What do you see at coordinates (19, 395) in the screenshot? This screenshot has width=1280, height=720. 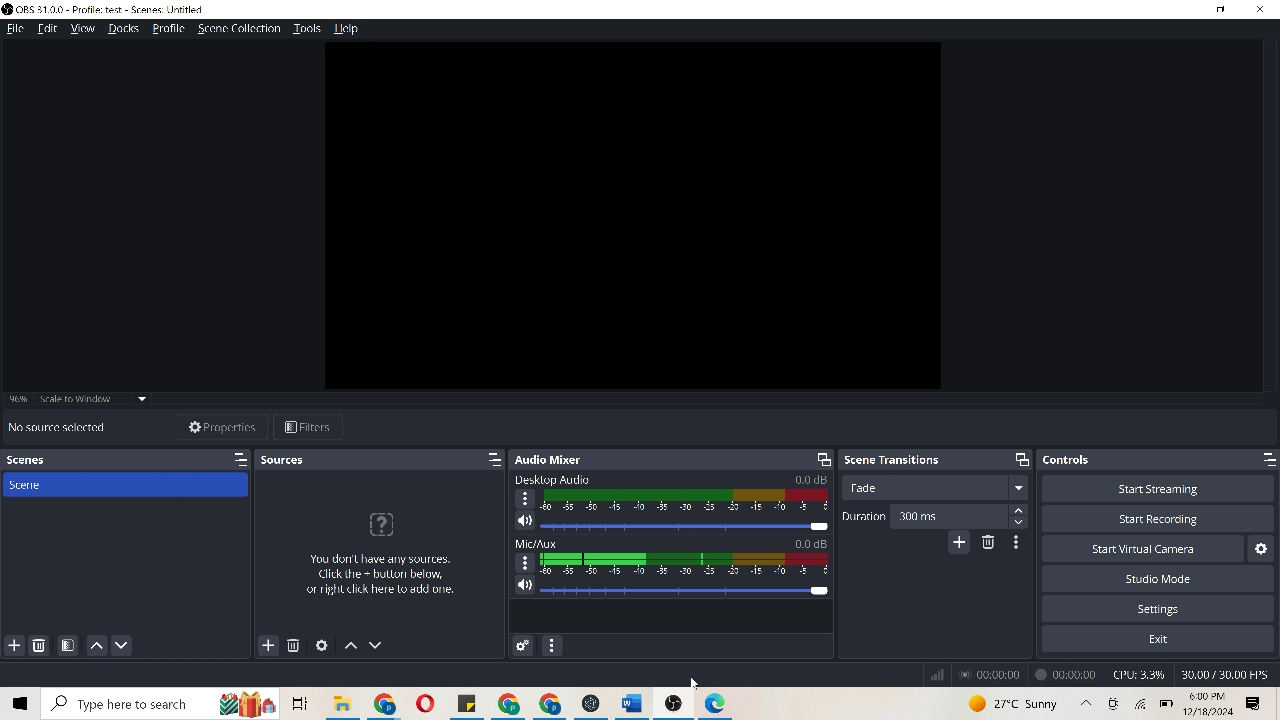 I see `96%` at bounding box center [19, 395].